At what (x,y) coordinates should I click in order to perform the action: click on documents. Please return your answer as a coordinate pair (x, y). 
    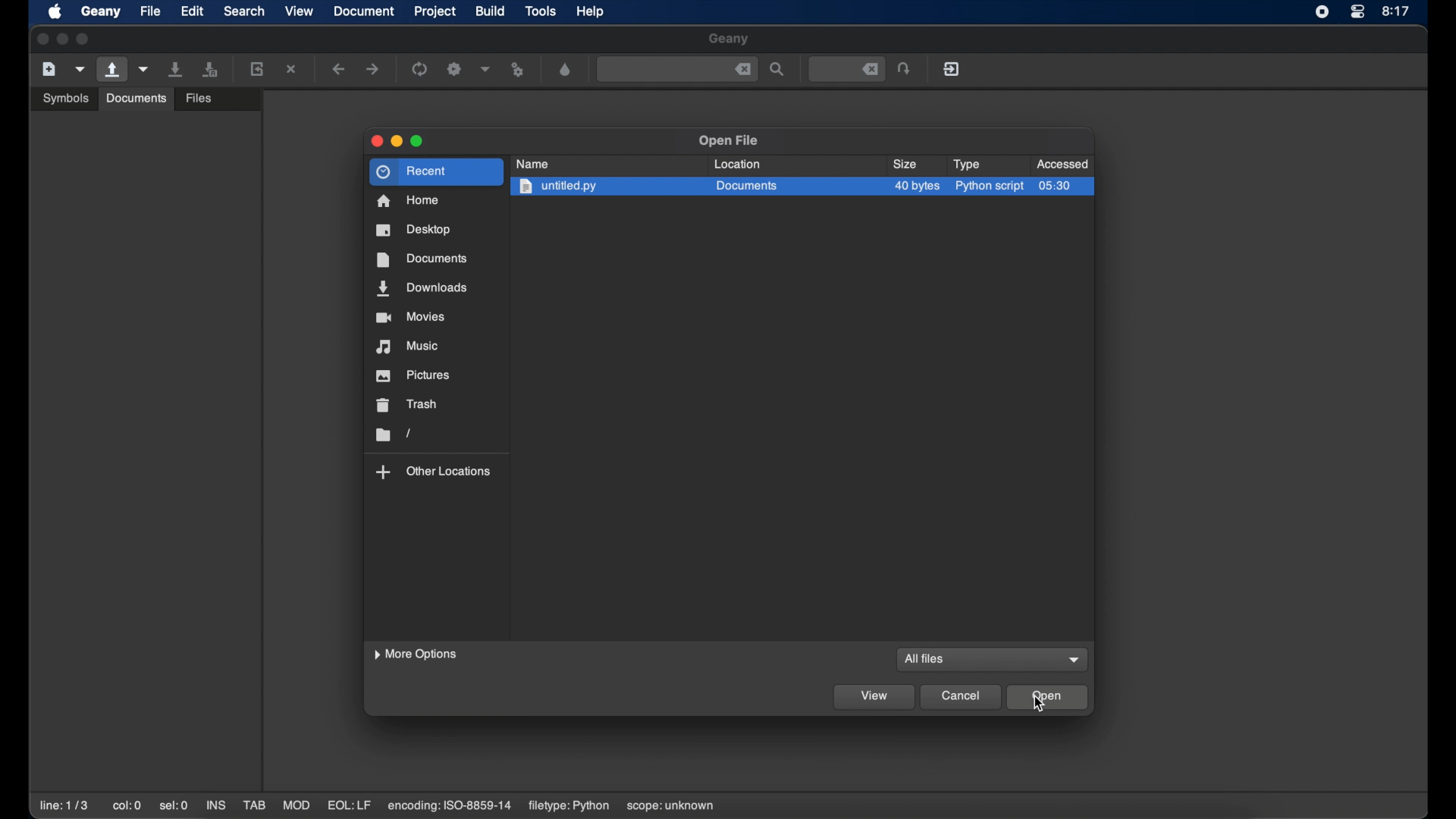
    Looking at the image, I should click on (136, 99).